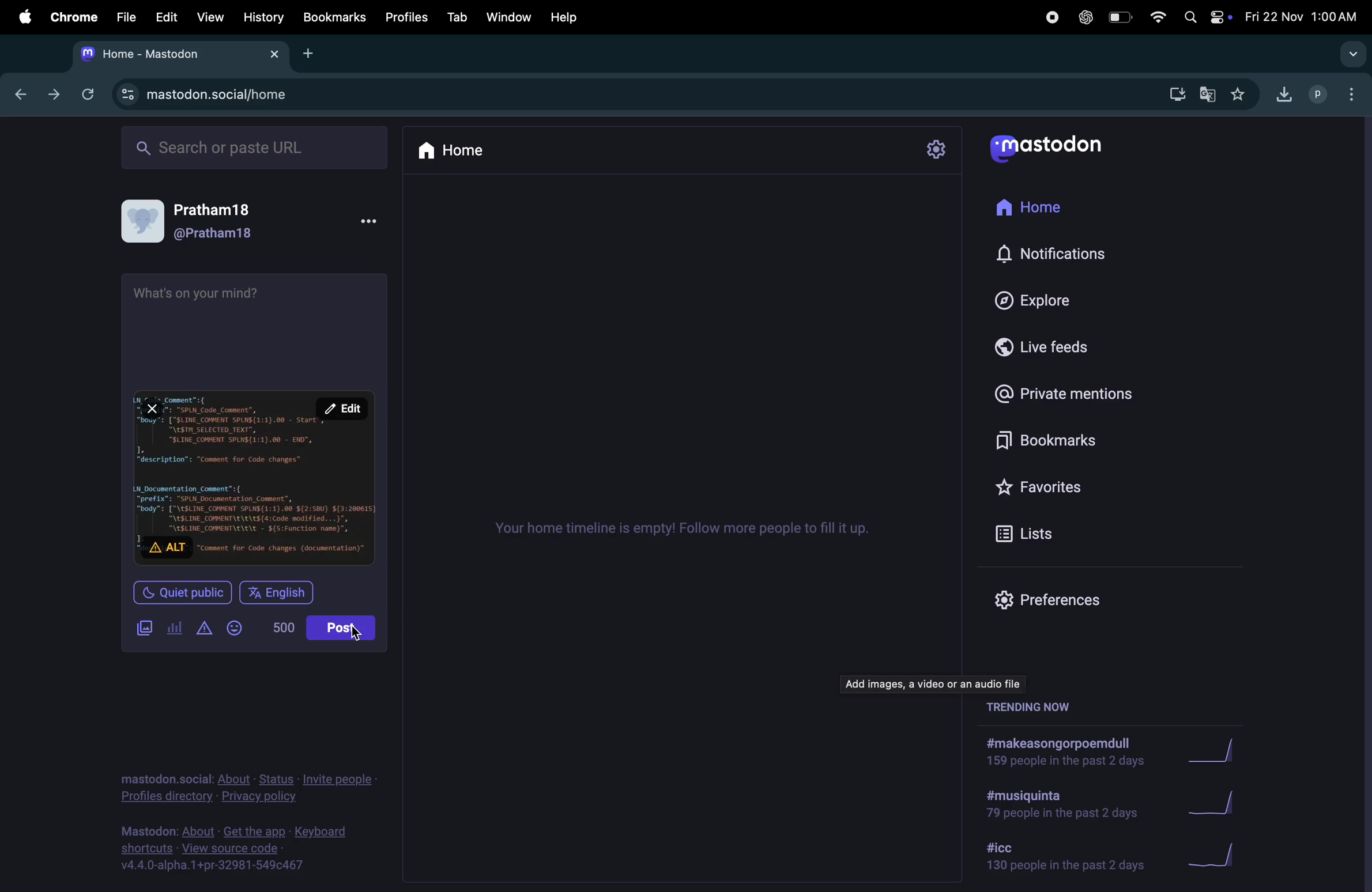 This screenshot has height=892, width=1372. What do you see at coordinates (122, 18) in the screenshot?
I see `file` at bounding box center [122, 18].